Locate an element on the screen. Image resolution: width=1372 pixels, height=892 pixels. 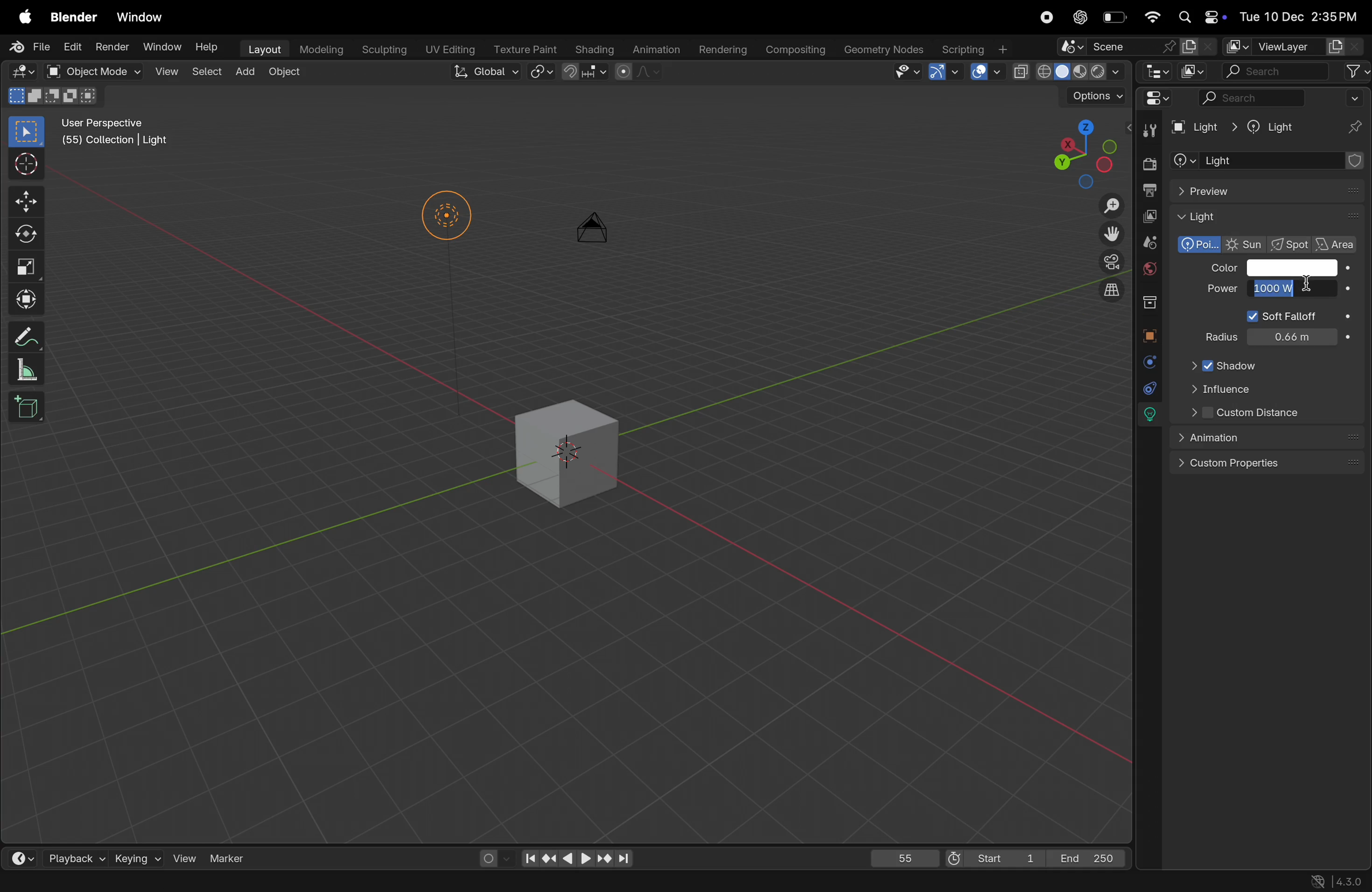
view layer is located at coordinates (1147, 217).